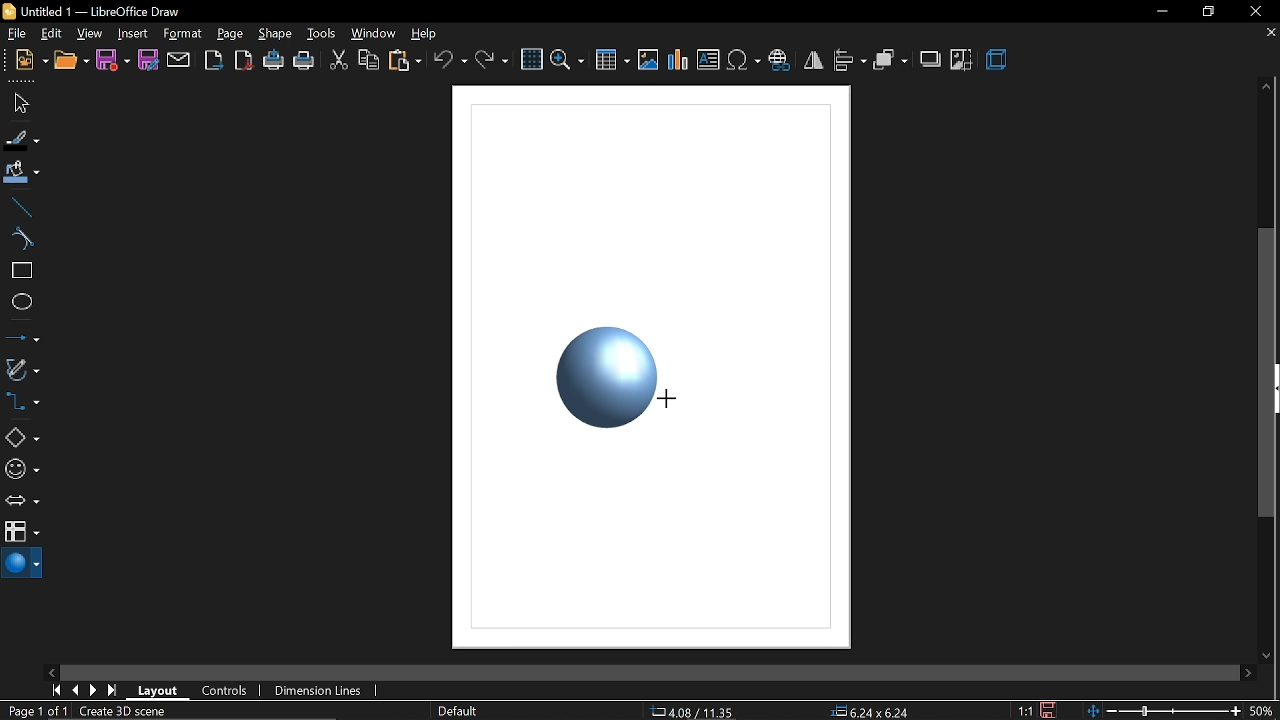  I want to click on Vertical scrollbar, so click(1270, 374).